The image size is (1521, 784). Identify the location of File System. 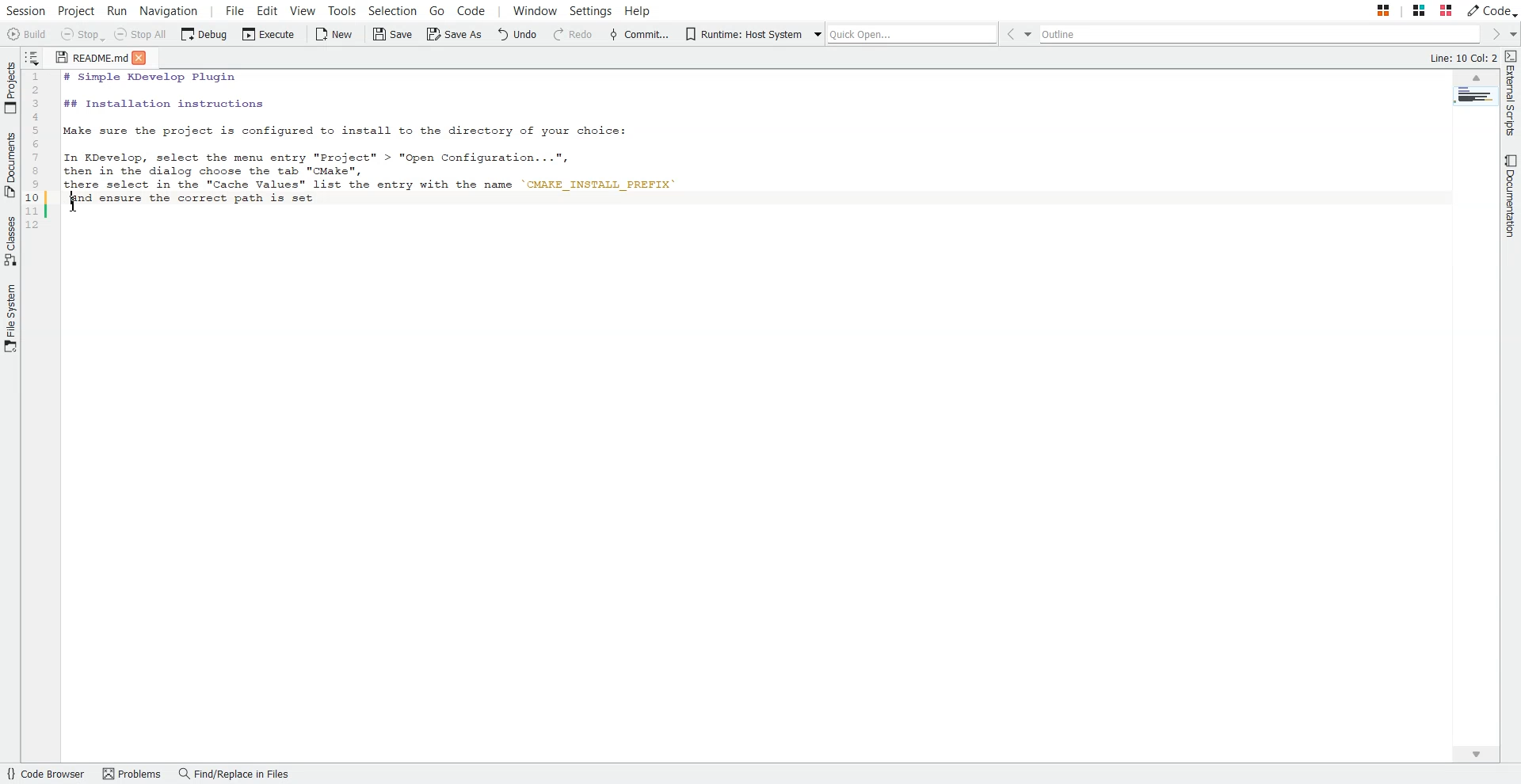
(10, 319).